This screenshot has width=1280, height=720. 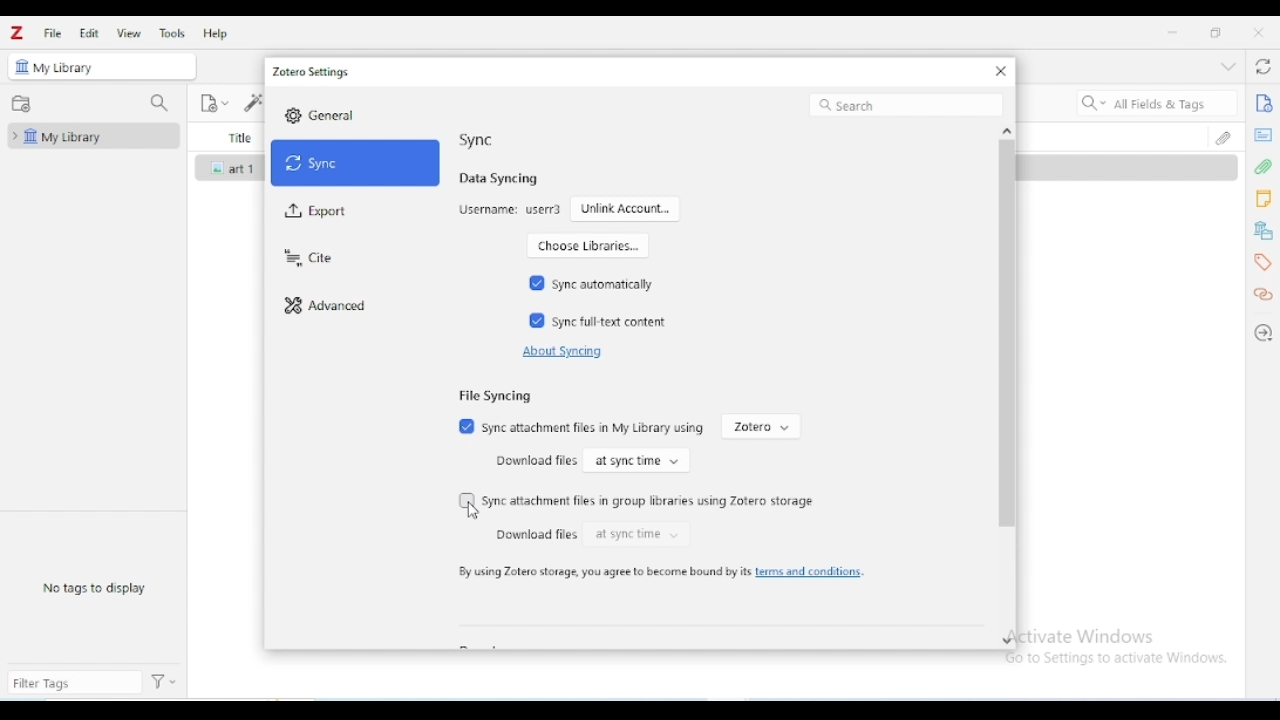 What do you see at coordinates (1262, 263) in the screenshot?
I see `tags` at bounding box center [1262, 263].